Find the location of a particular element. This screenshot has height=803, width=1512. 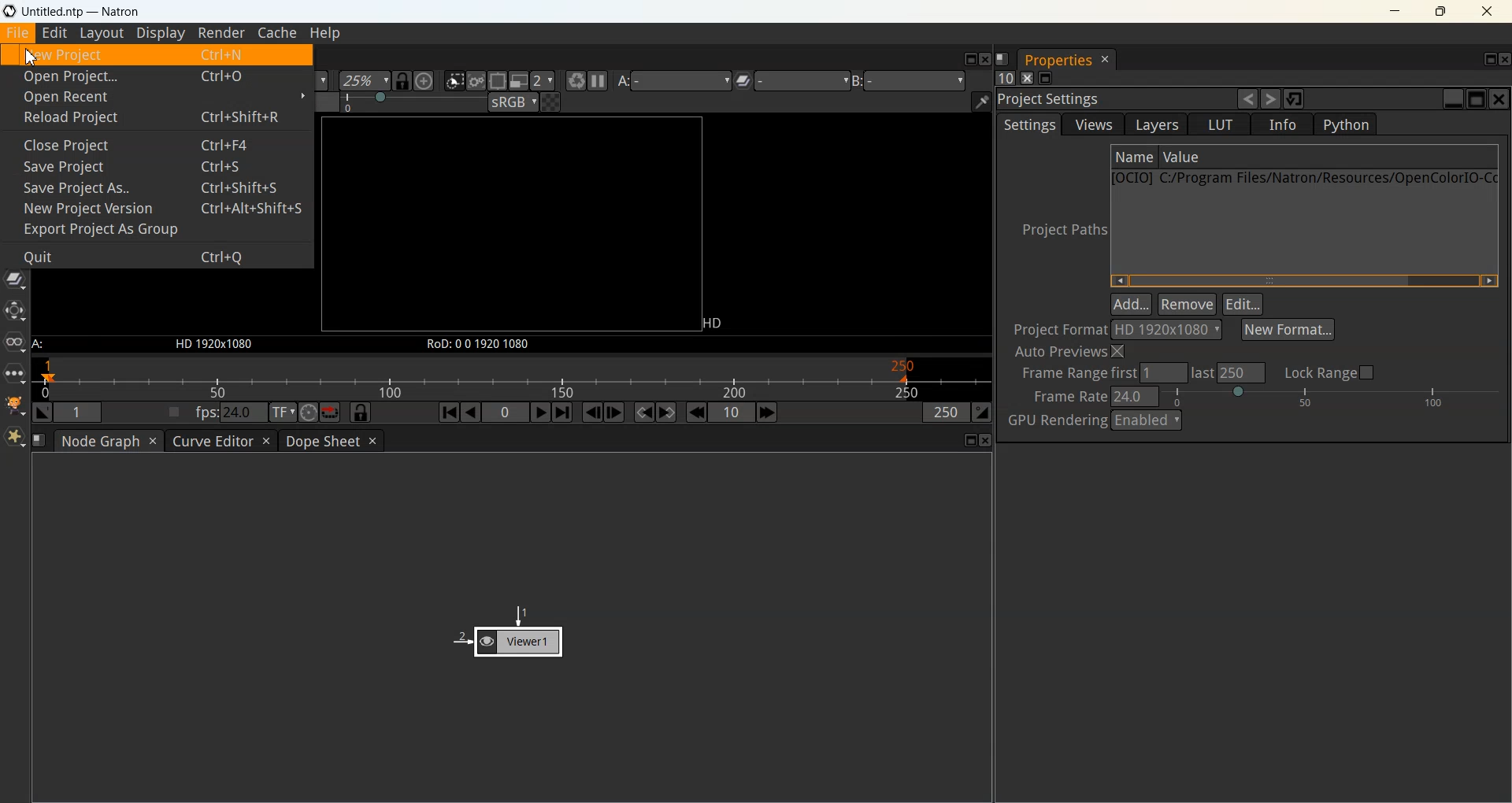

Viewer is located at coordinates (508, 631).